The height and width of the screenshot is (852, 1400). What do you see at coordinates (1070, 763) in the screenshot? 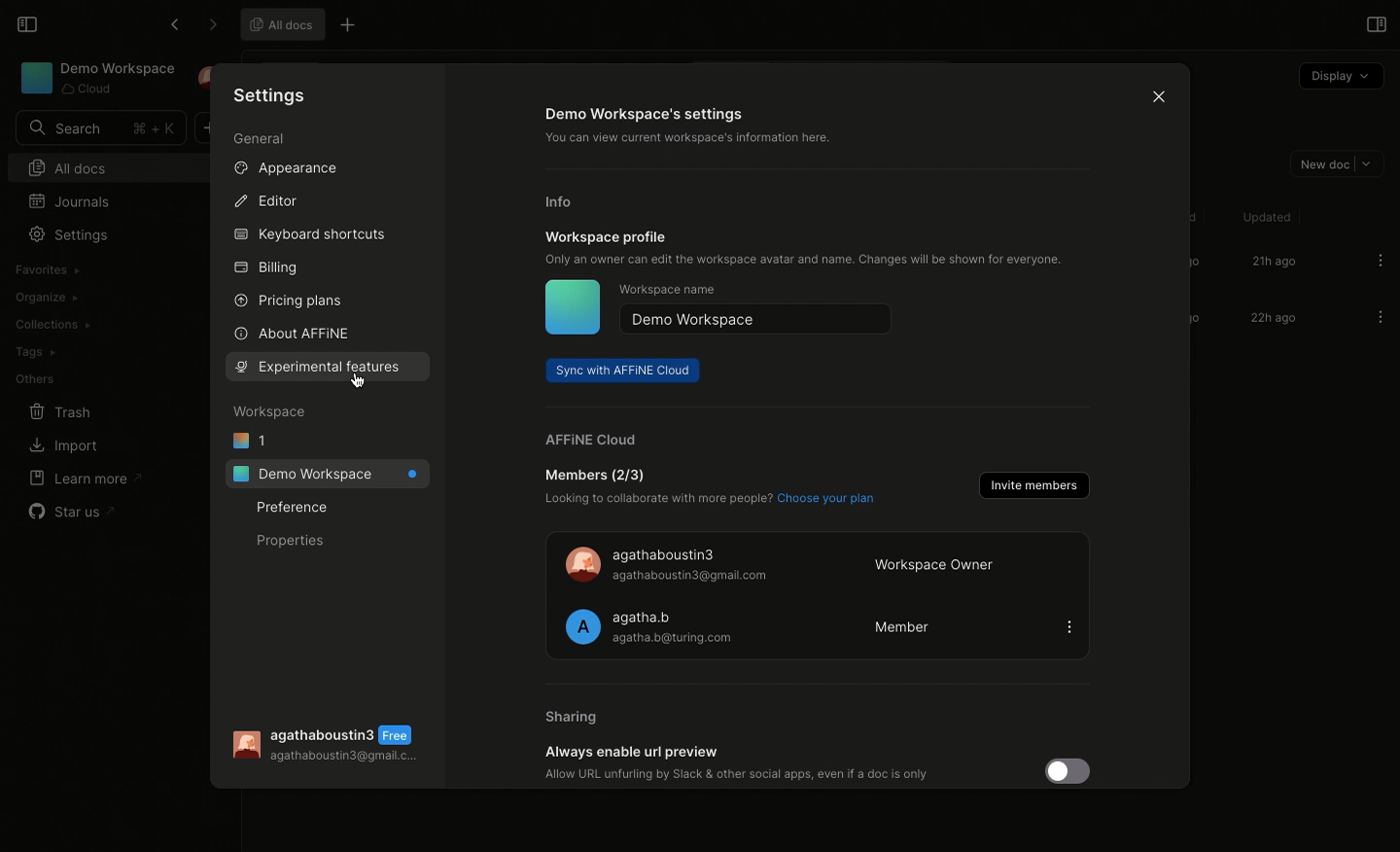
I see `Disabled` at bounding box center [1070, 763].